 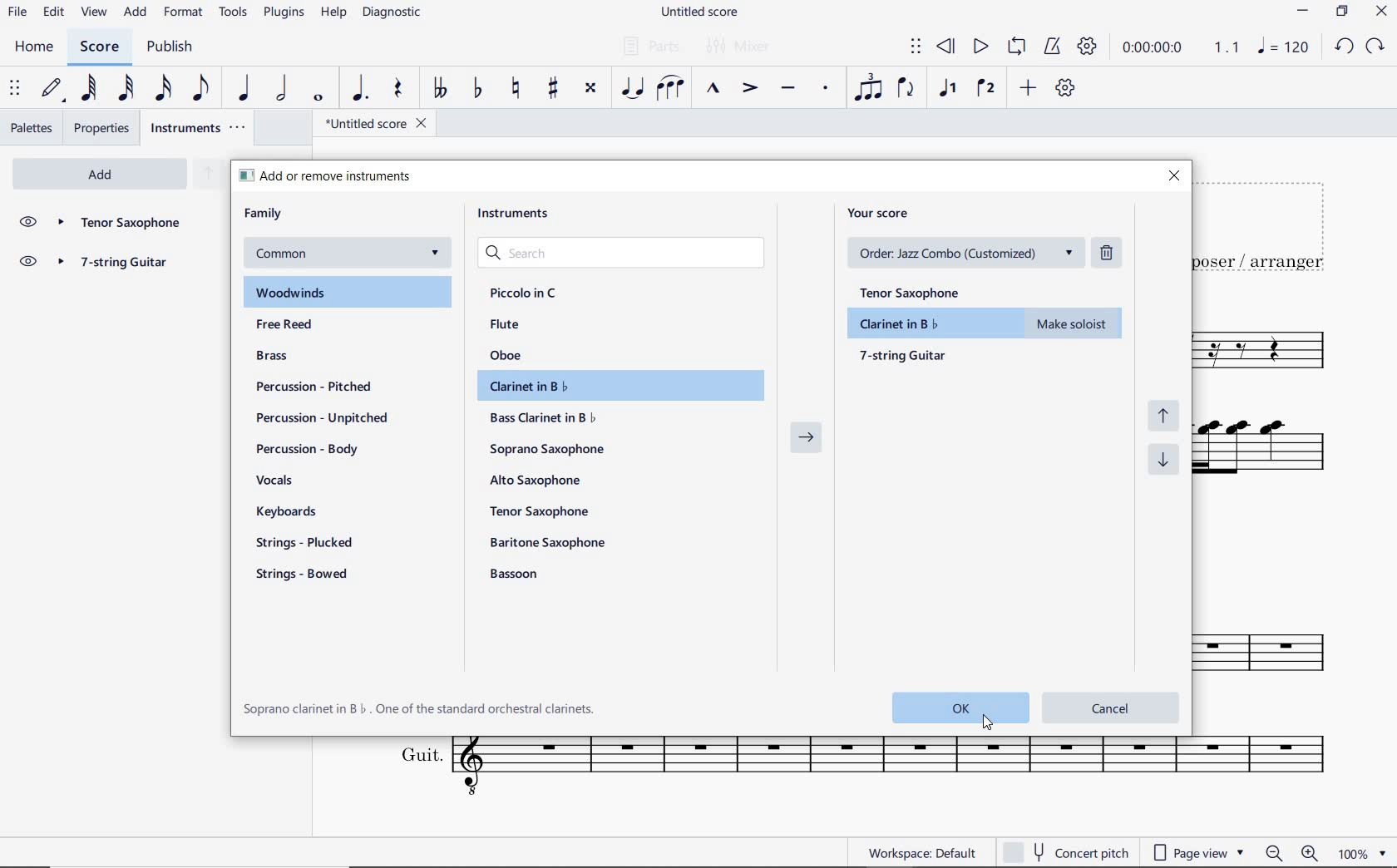 I want to click on tenor saxophone, so click(x=916, y=289).